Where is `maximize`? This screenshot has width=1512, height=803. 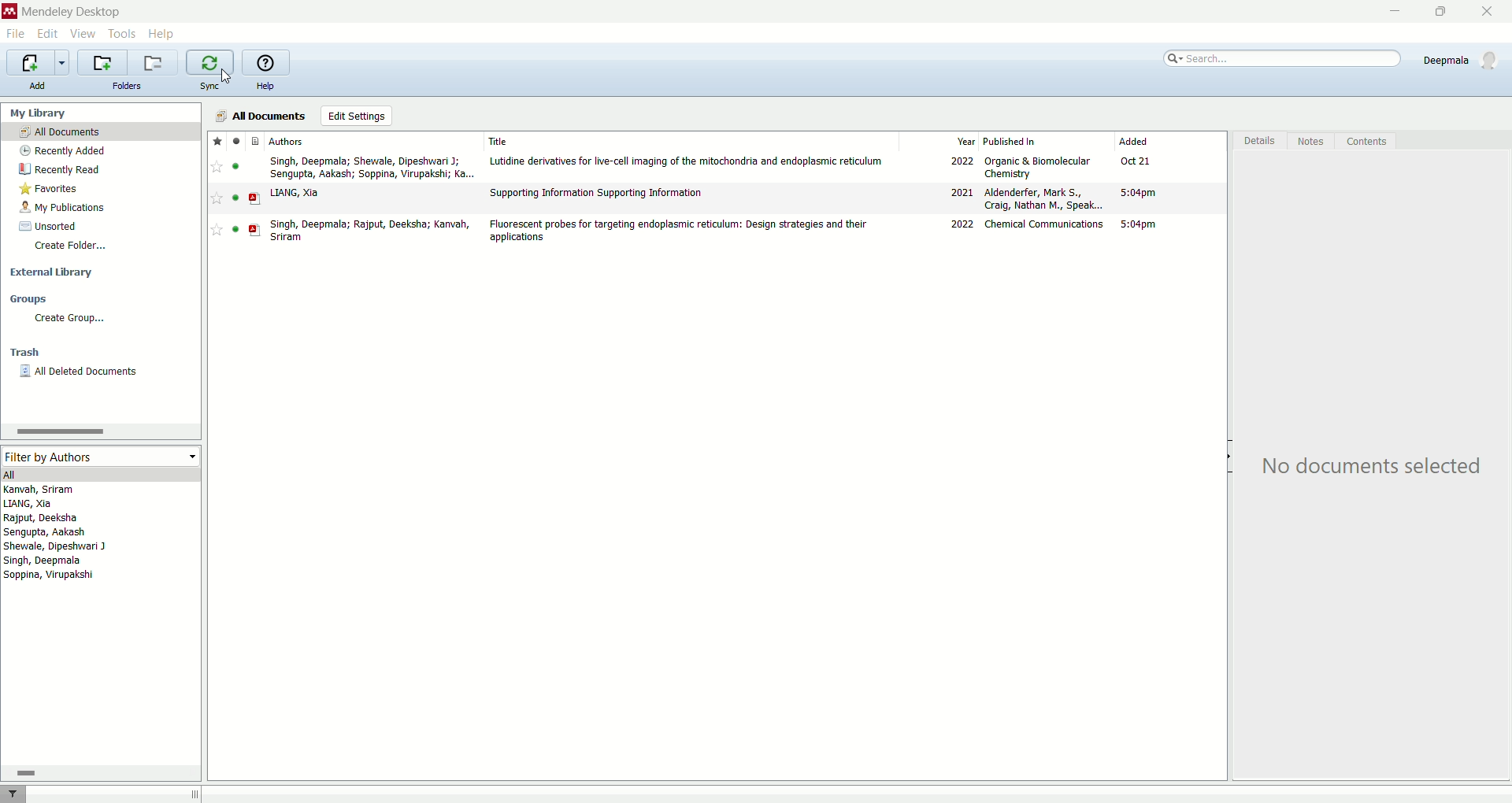 maximize is located at coordinates (1442, 11).